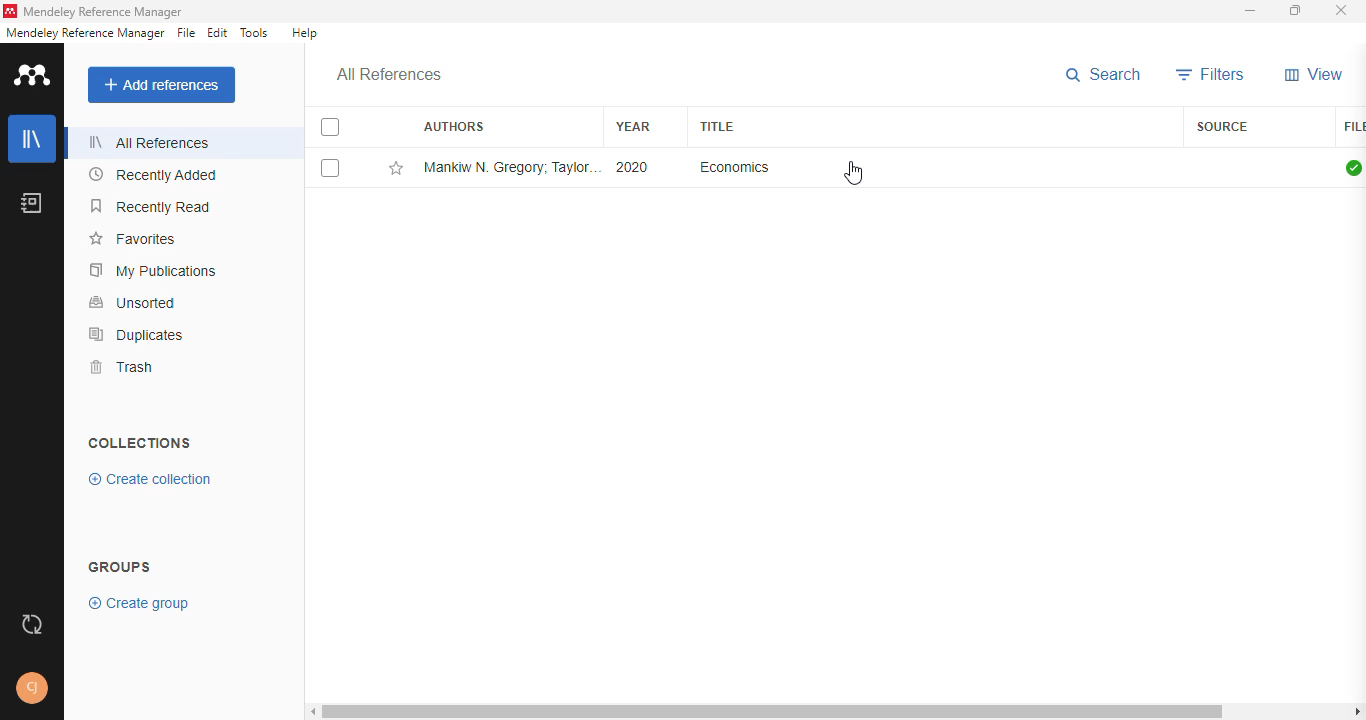  I want to click on logo, so click(30, 73).